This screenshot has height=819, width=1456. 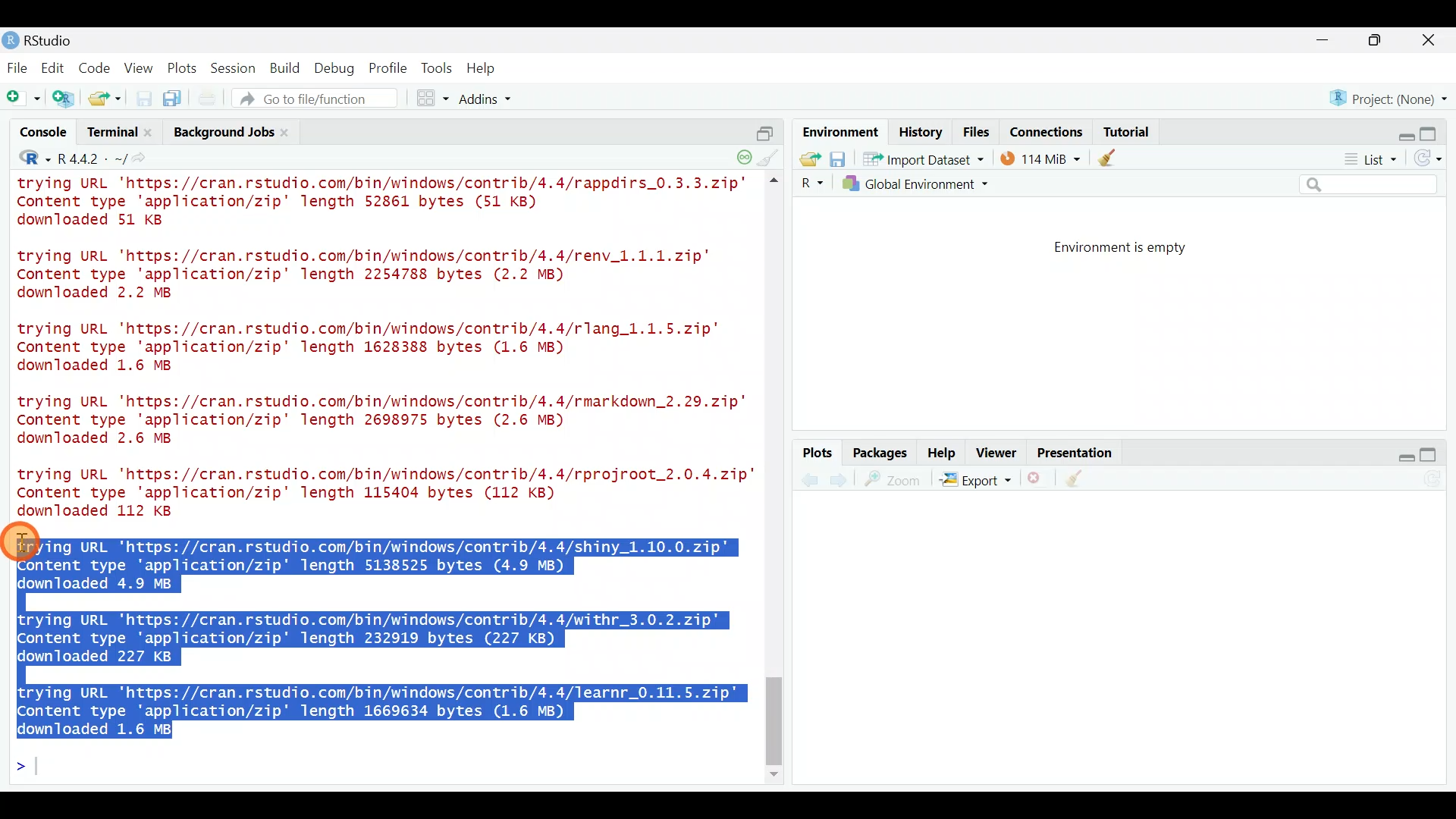 I want to click on Addins, so click(x=487, y=101).